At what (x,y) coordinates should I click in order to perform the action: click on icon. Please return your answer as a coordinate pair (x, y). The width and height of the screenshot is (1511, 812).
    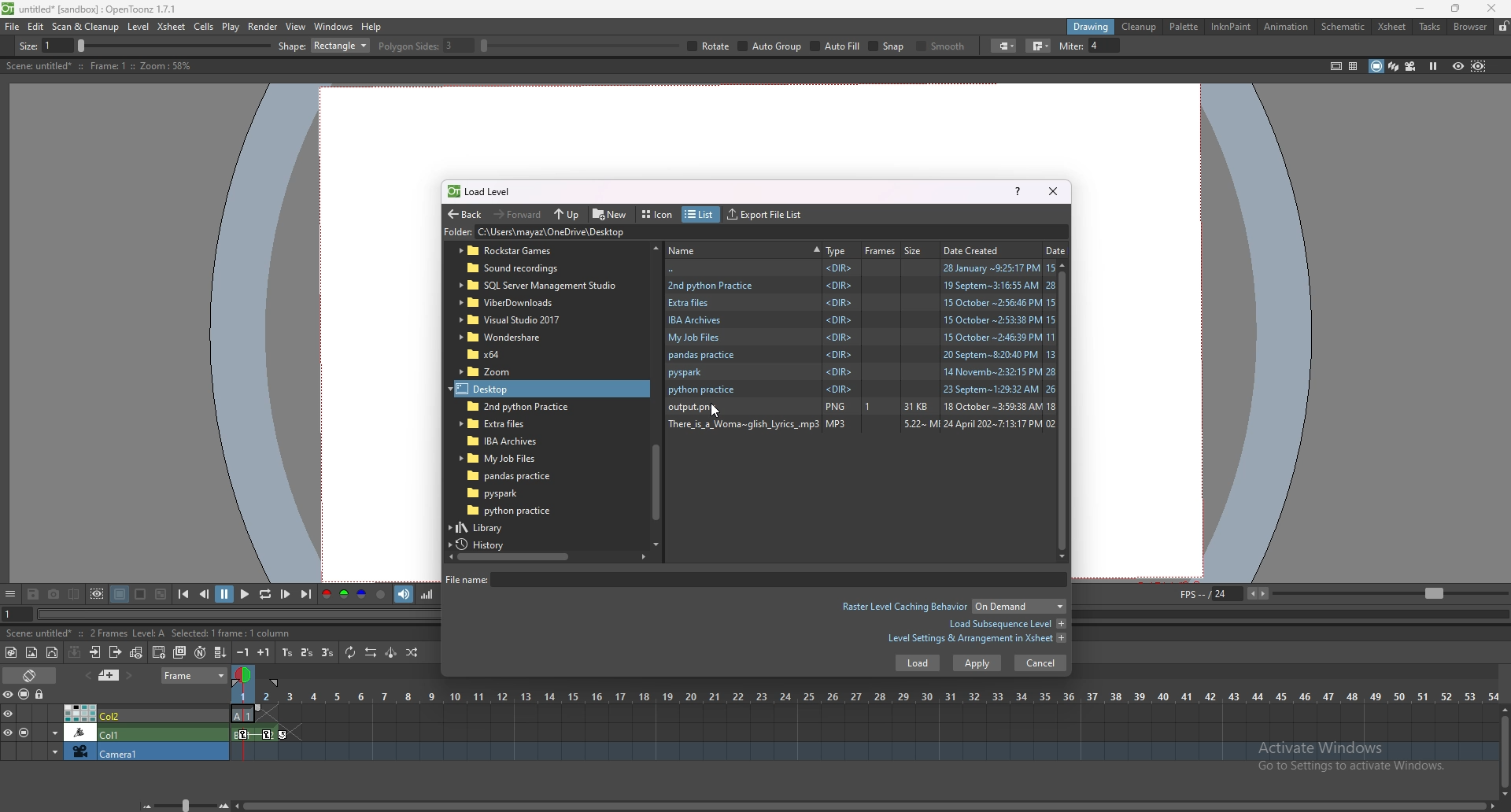
    Looking at the image, I should click on (659, 215).